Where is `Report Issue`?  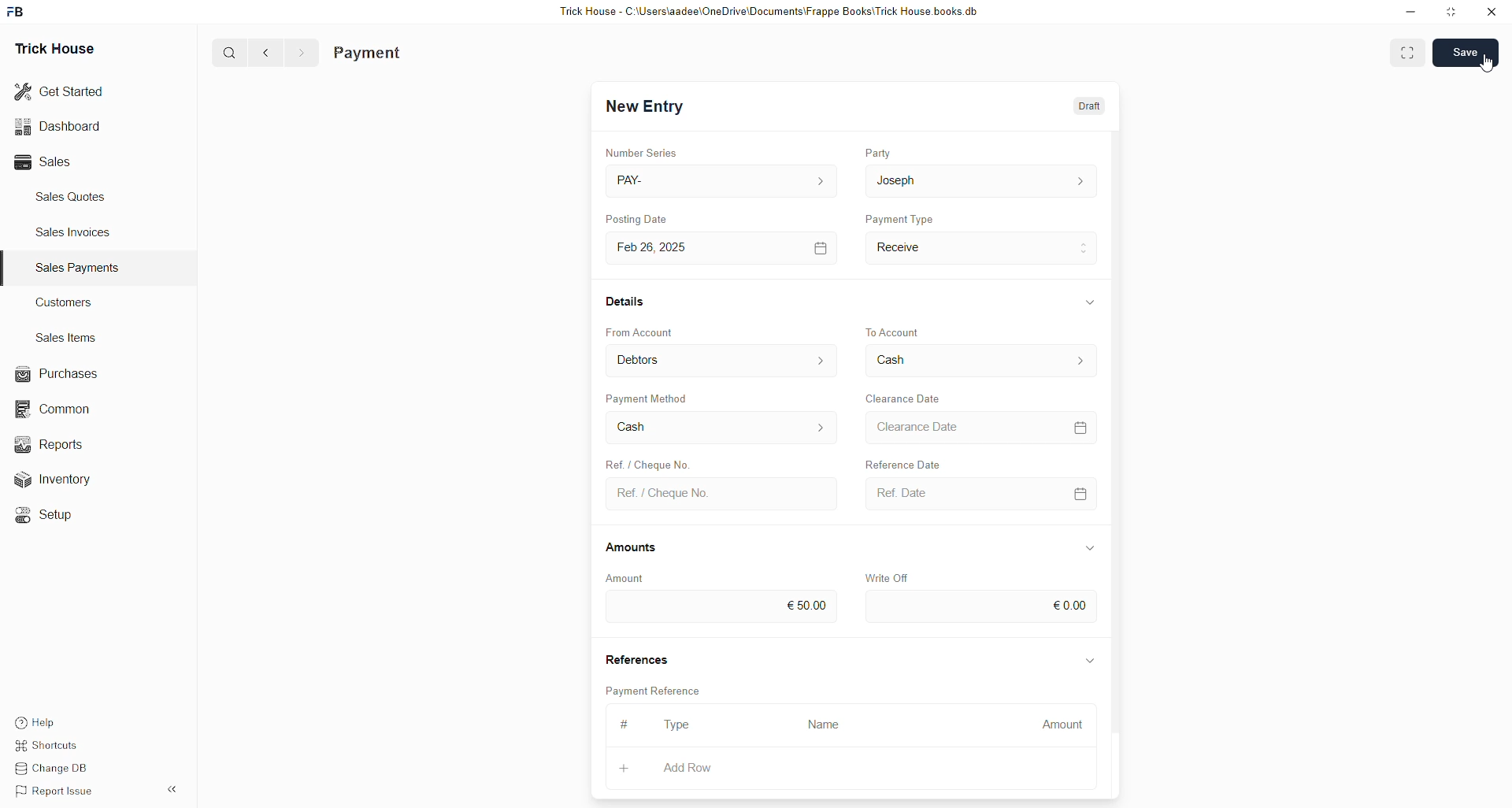
Report Issue is located at coordinates (57, 791).